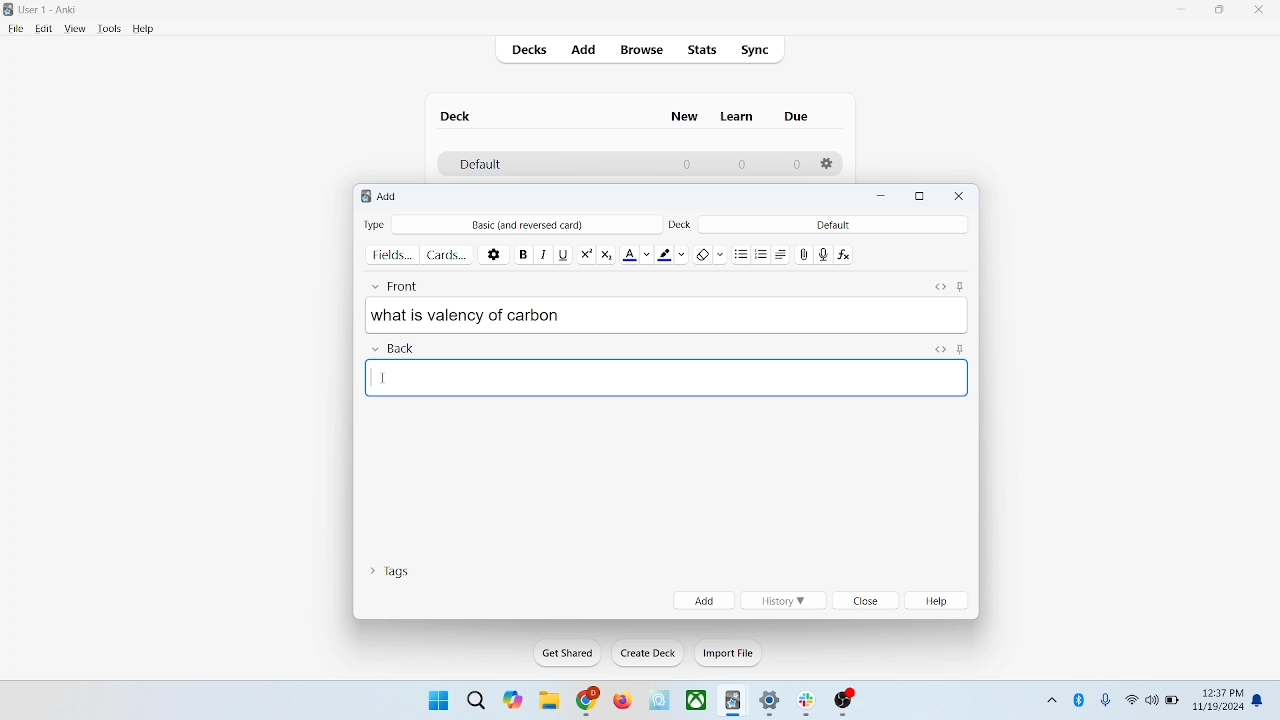 Image resolution: width=1280 pixels, height=720 pixels. I want to click on settings, so click(771, 704).